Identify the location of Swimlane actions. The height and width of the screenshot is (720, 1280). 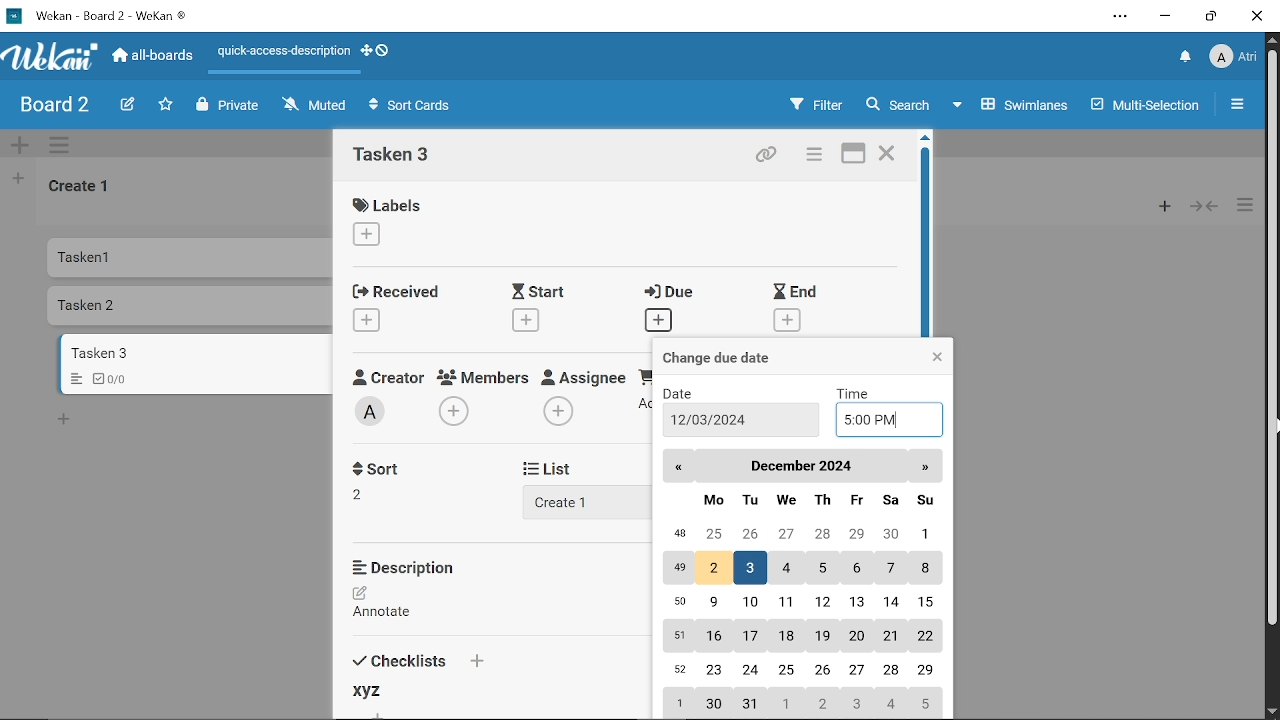
(64, 146).